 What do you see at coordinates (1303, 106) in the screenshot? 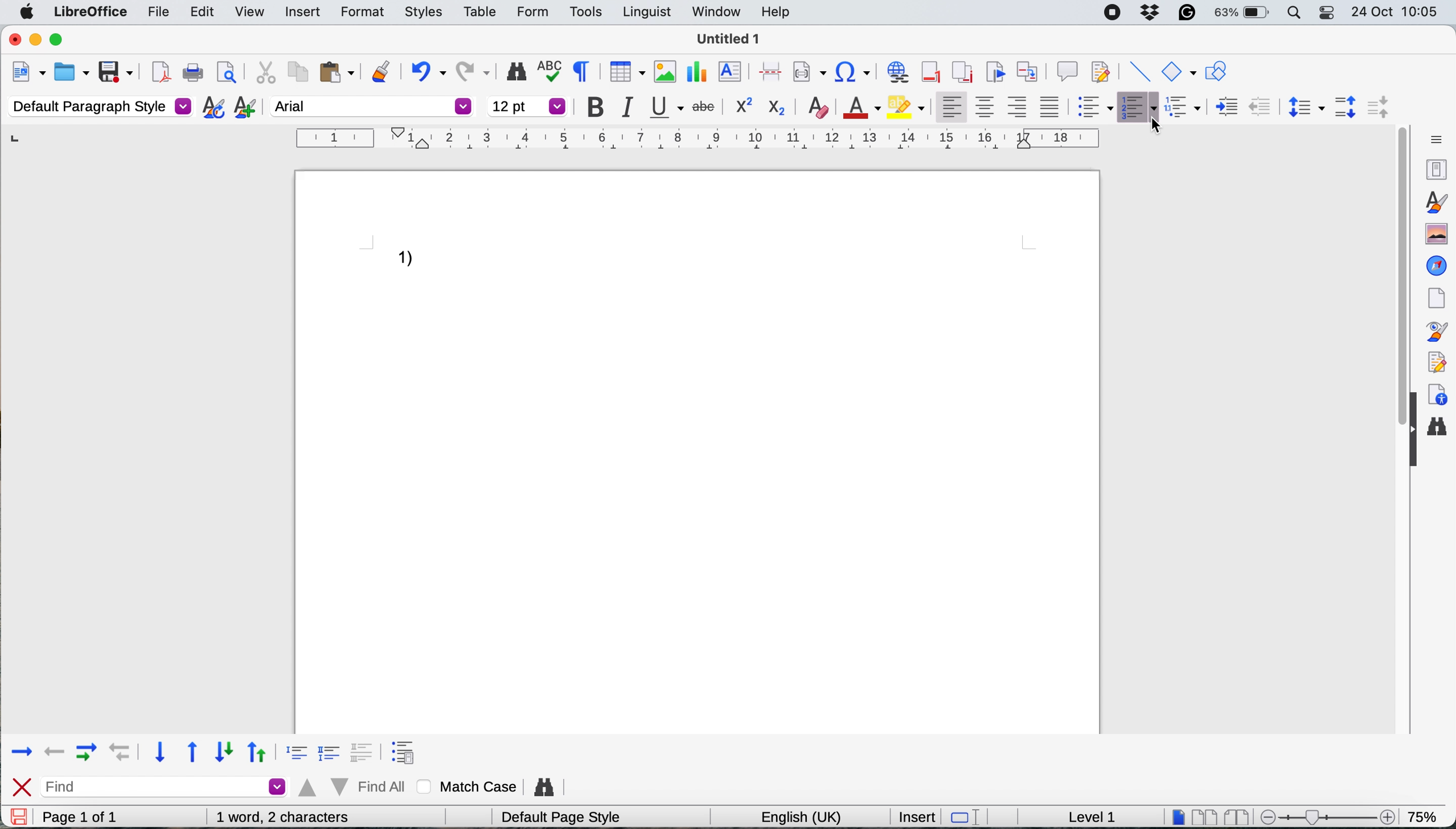
I see `set line spacing` at bounding box center [1303, 106].